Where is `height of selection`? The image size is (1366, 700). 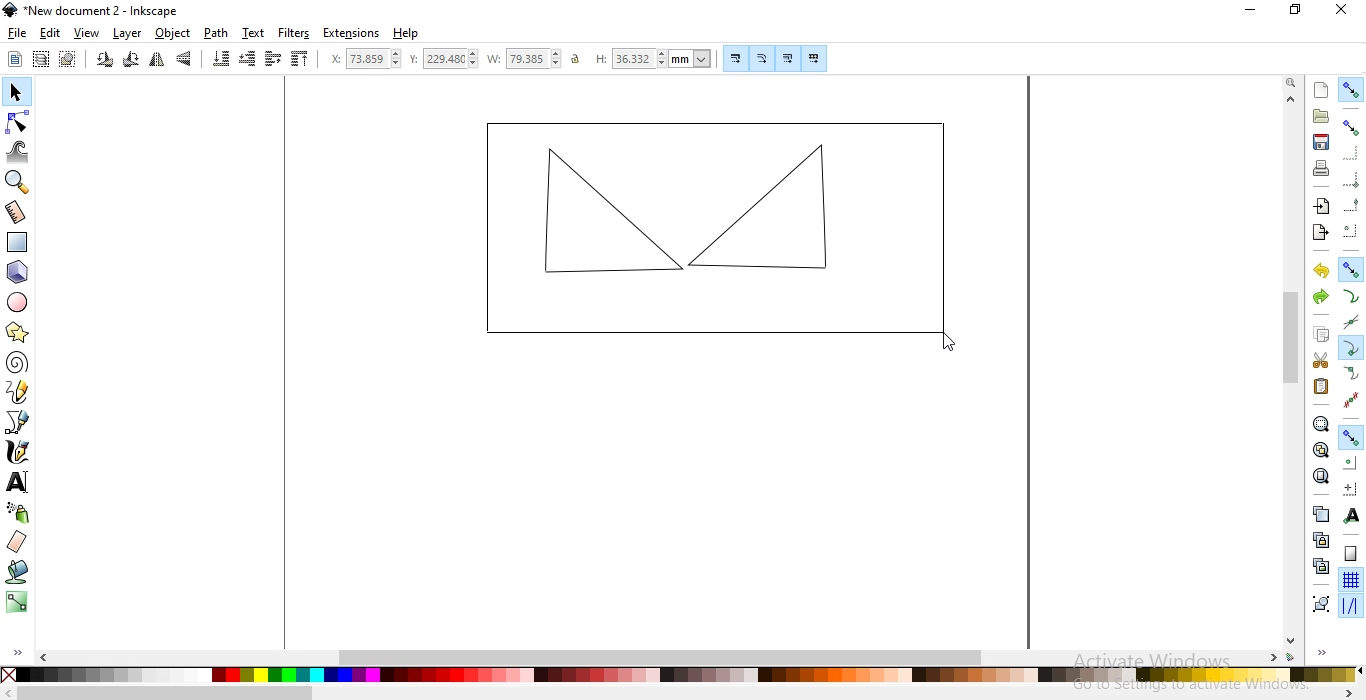 height of selection is located at coordinates (653, 58).